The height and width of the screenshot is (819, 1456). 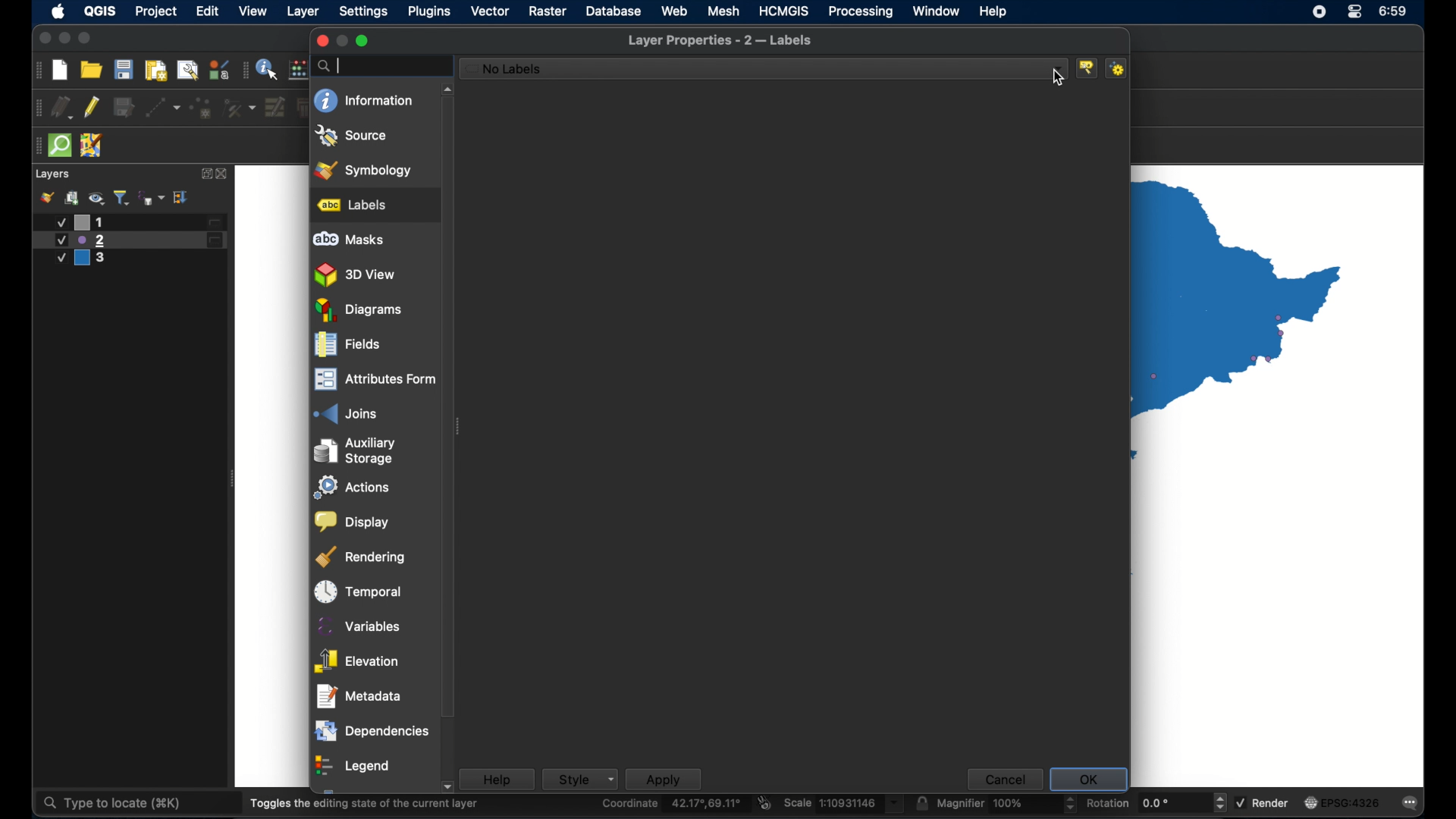 I want to click on control center, so click(x=1356, y=11).